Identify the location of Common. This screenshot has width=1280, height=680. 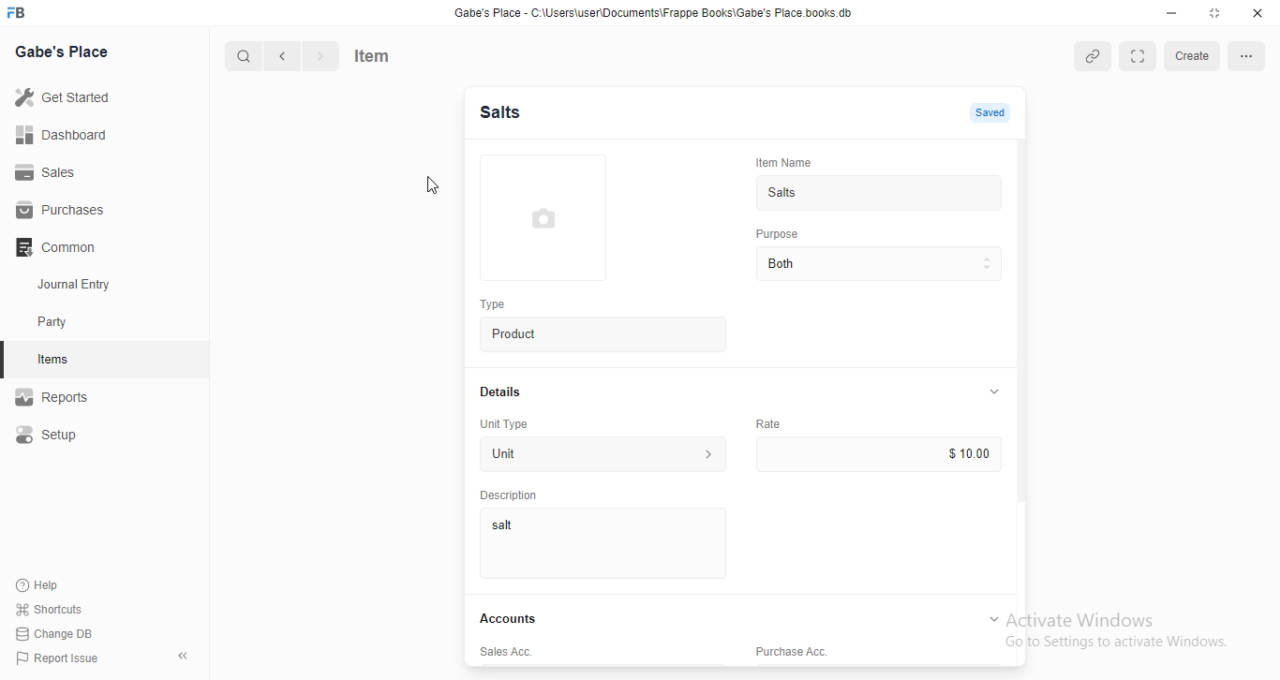
(60, 245).